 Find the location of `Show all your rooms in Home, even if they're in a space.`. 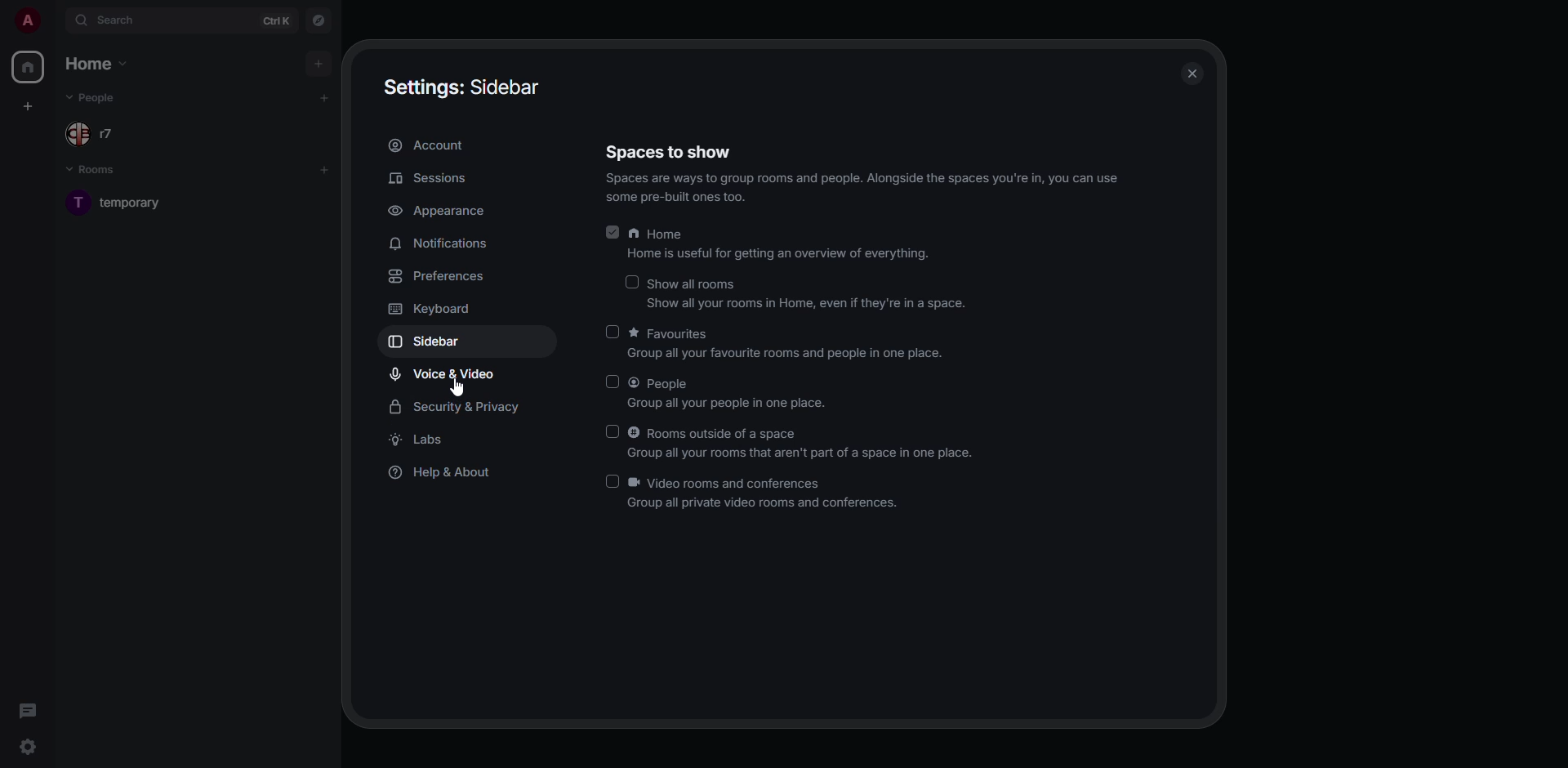

Show all your rooms in Home, even if they're in a space. is located at coordinates (795, 306).